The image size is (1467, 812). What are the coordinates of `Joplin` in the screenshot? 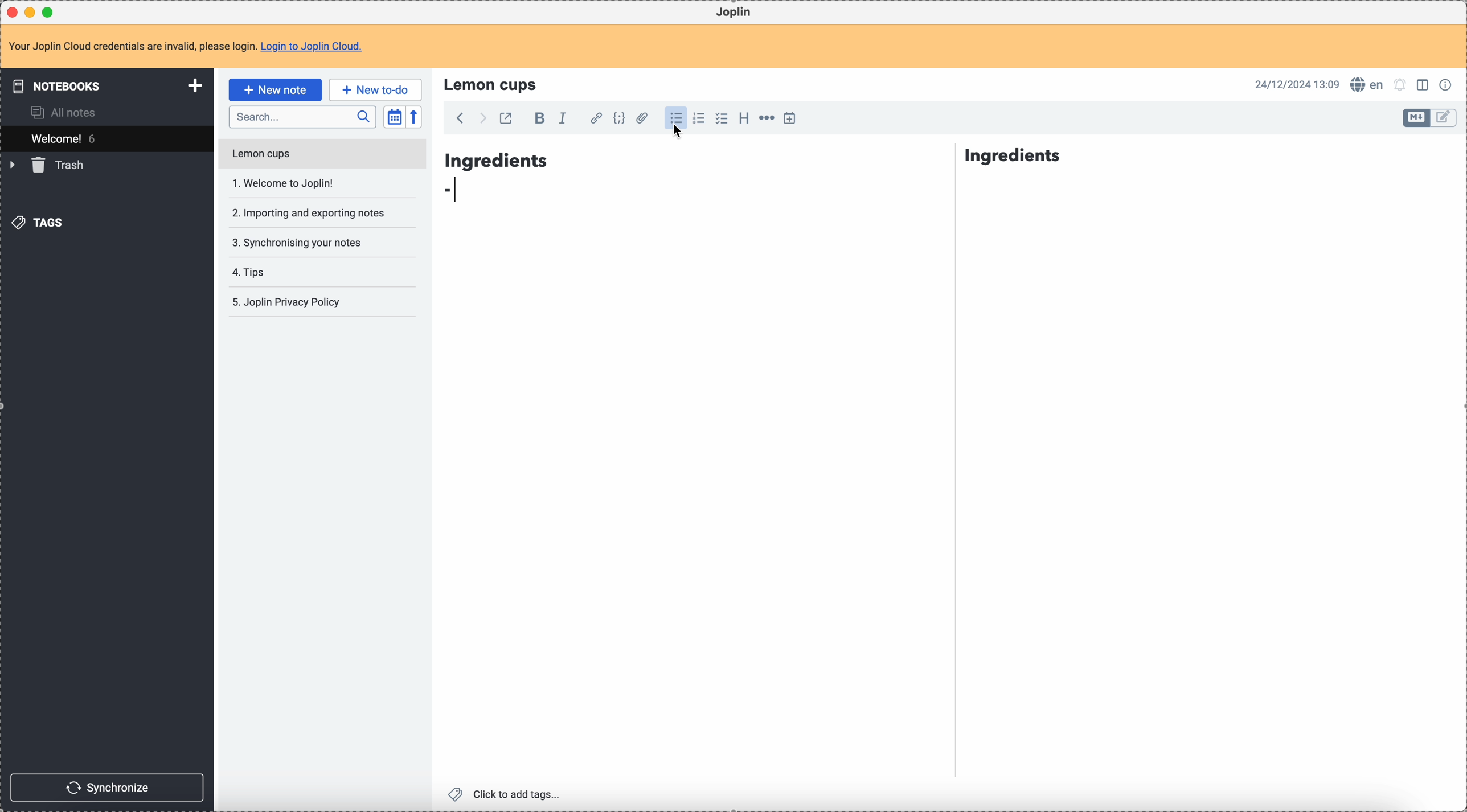 It's located at (733, 13).